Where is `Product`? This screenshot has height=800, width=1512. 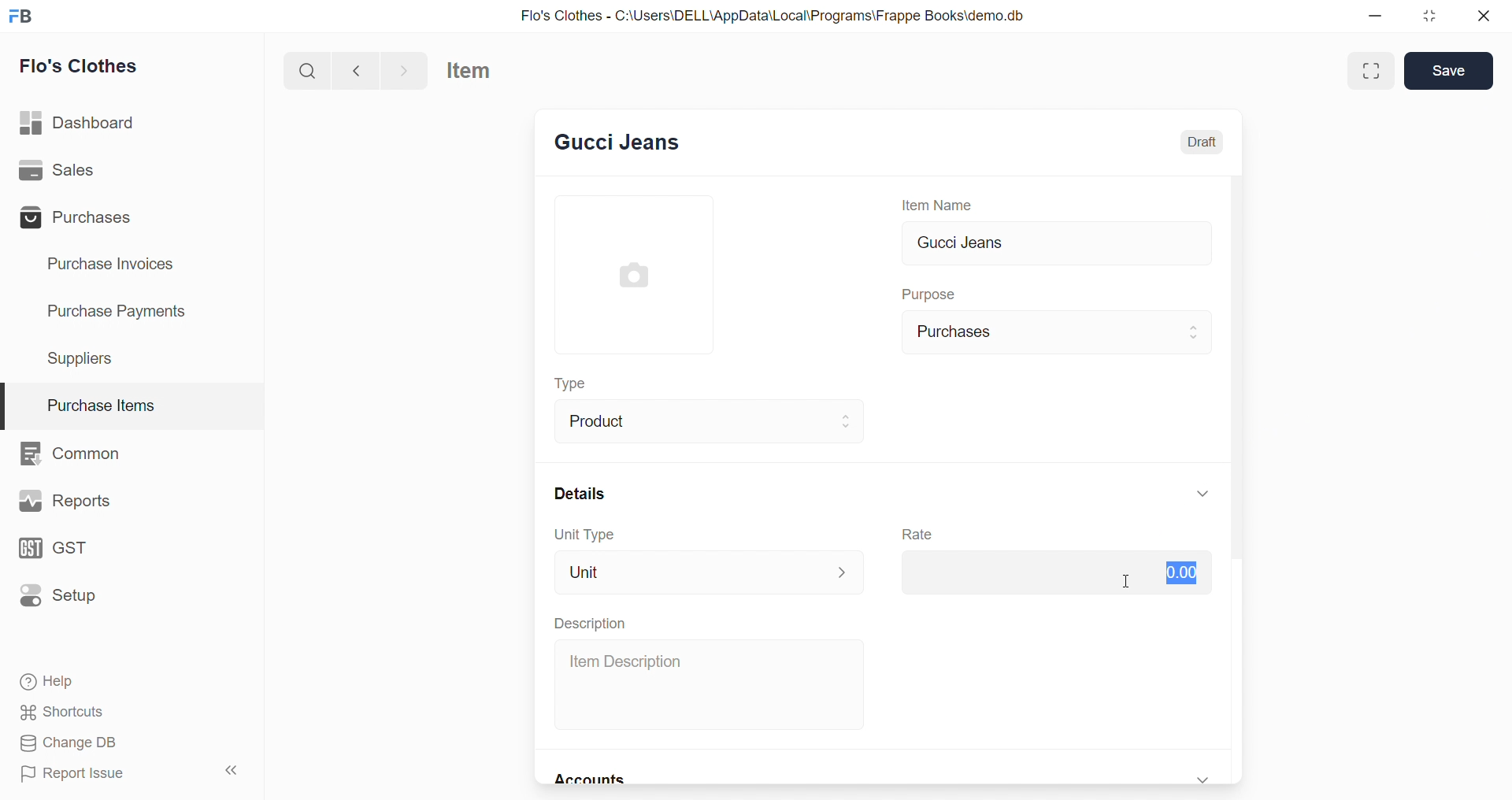 Product is located at coordinates (713, 420).